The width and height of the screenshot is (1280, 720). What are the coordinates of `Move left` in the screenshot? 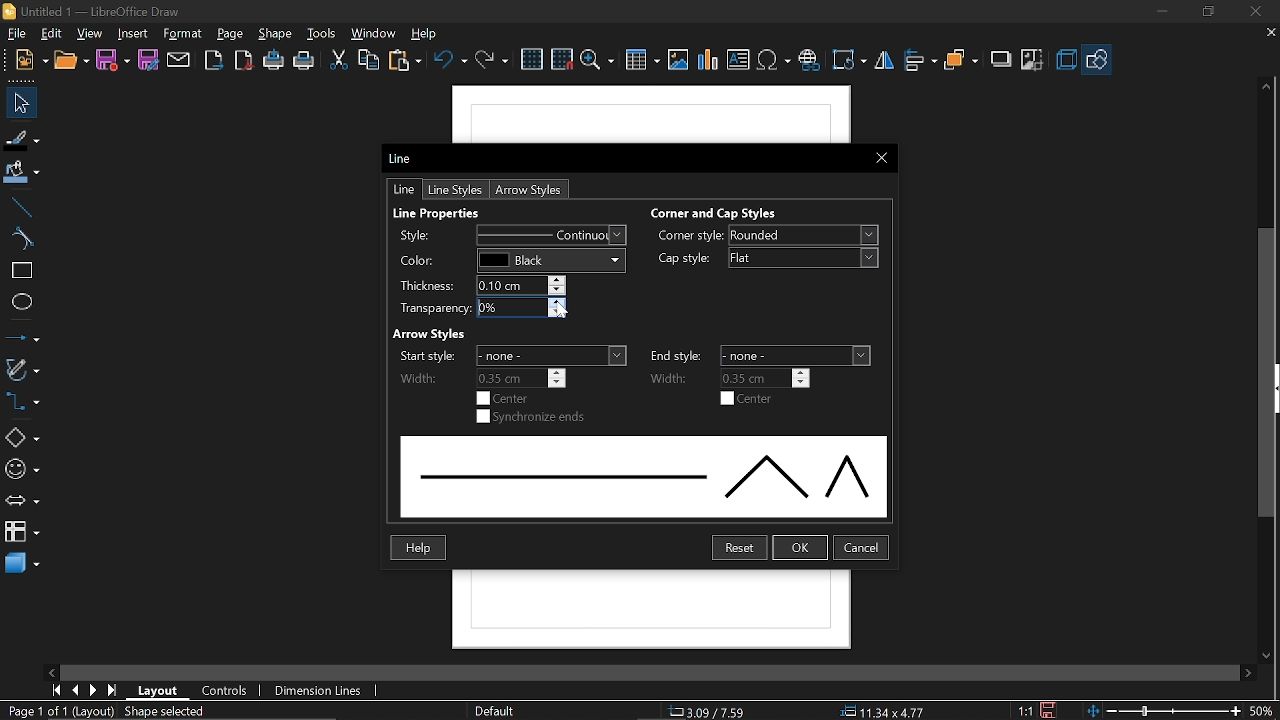 It's located at (54, 670).